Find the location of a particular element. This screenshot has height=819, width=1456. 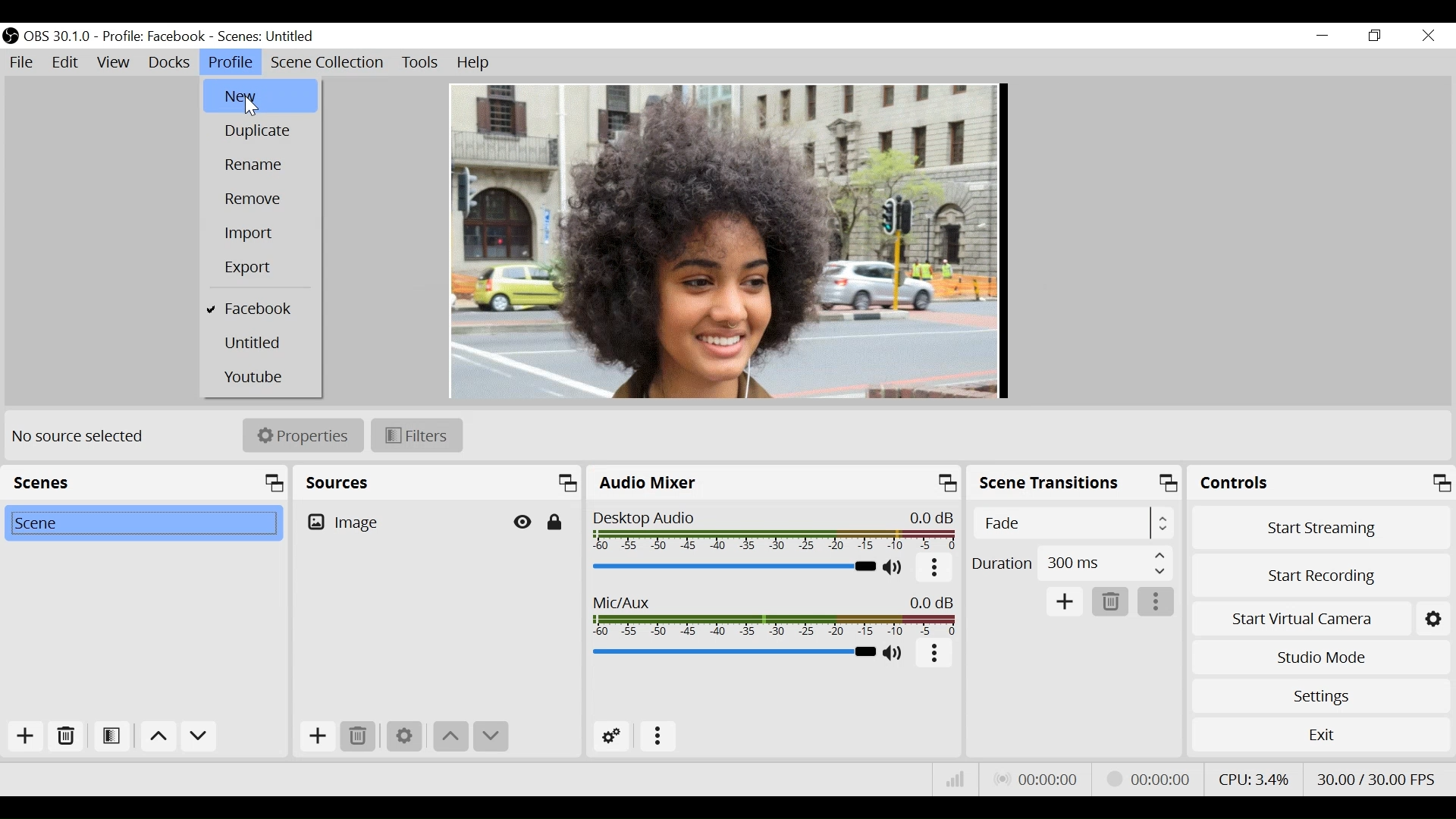

Live Status is located at coordinates (1040, 778).